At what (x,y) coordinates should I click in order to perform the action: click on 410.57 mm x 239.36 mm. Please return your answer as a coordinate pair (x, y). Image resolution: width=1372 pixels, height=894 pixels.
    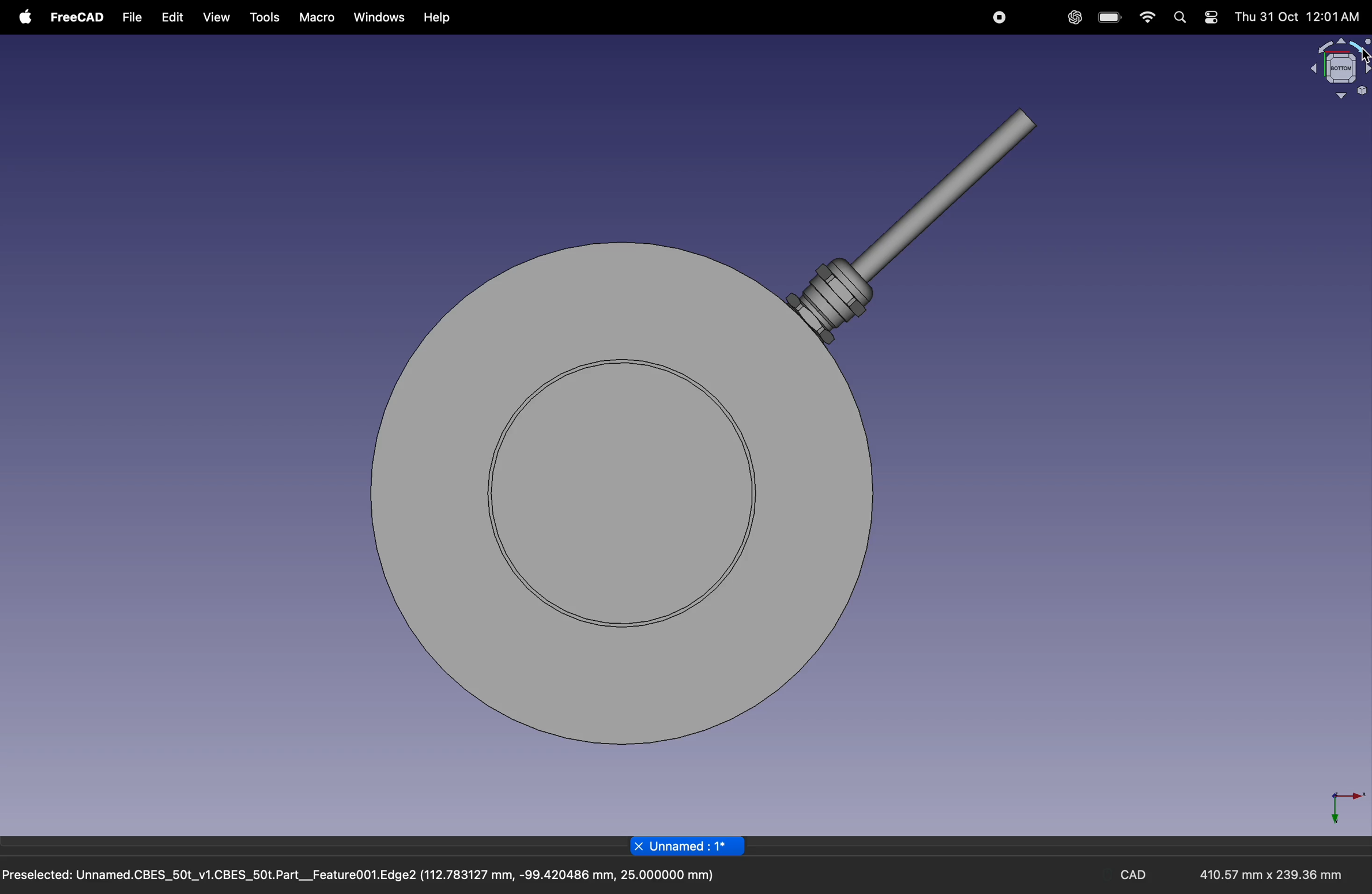
    Looking at the image, I should click on (1269, 874).